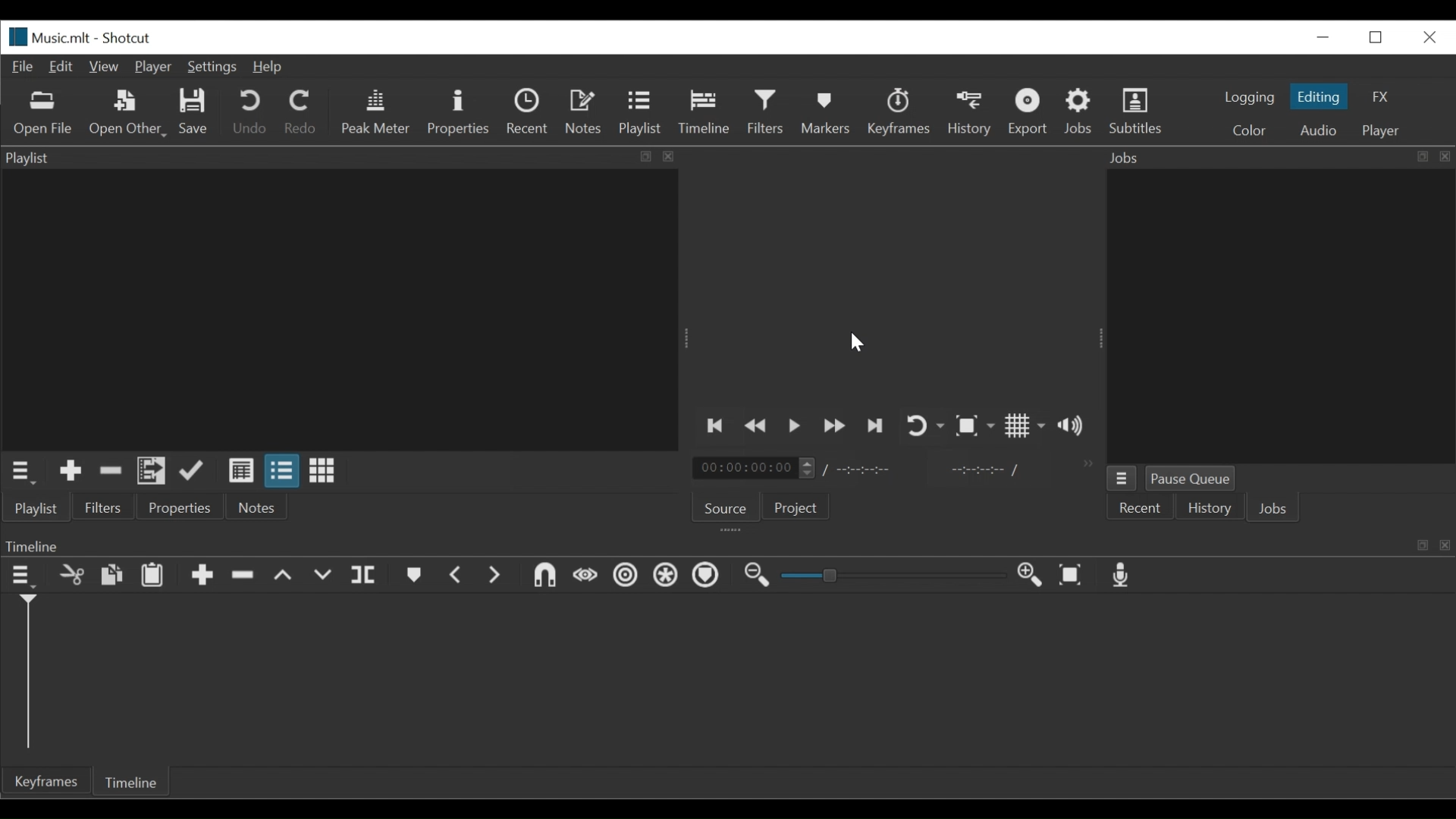  Describe the element at coordinates (835, 427) in the screenshot. I see `Play forward quickly` at that location.